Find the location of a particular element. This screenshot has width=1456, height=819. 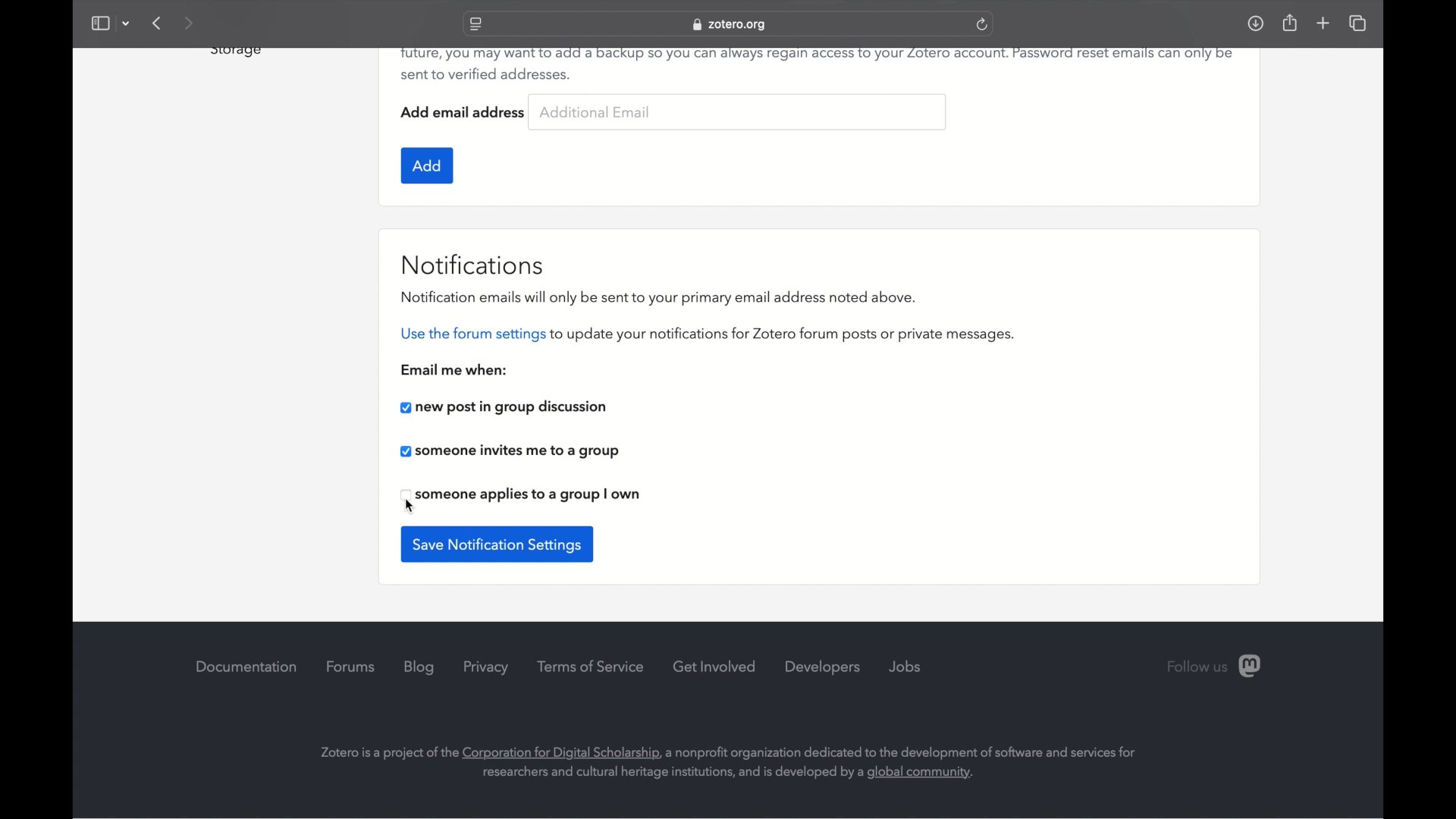

new post in group discussion is located at coordinates (502, 406).